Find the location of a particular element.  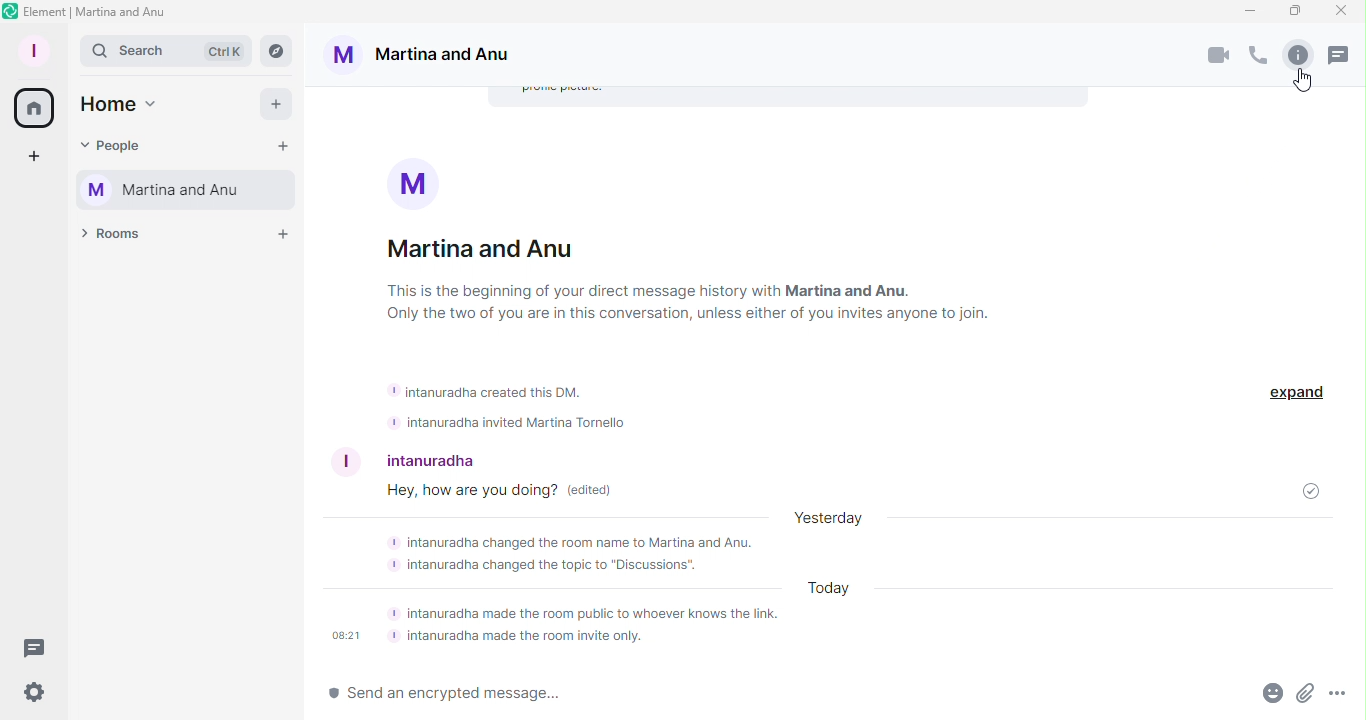

Threads is located at coordinates (1345, 57).